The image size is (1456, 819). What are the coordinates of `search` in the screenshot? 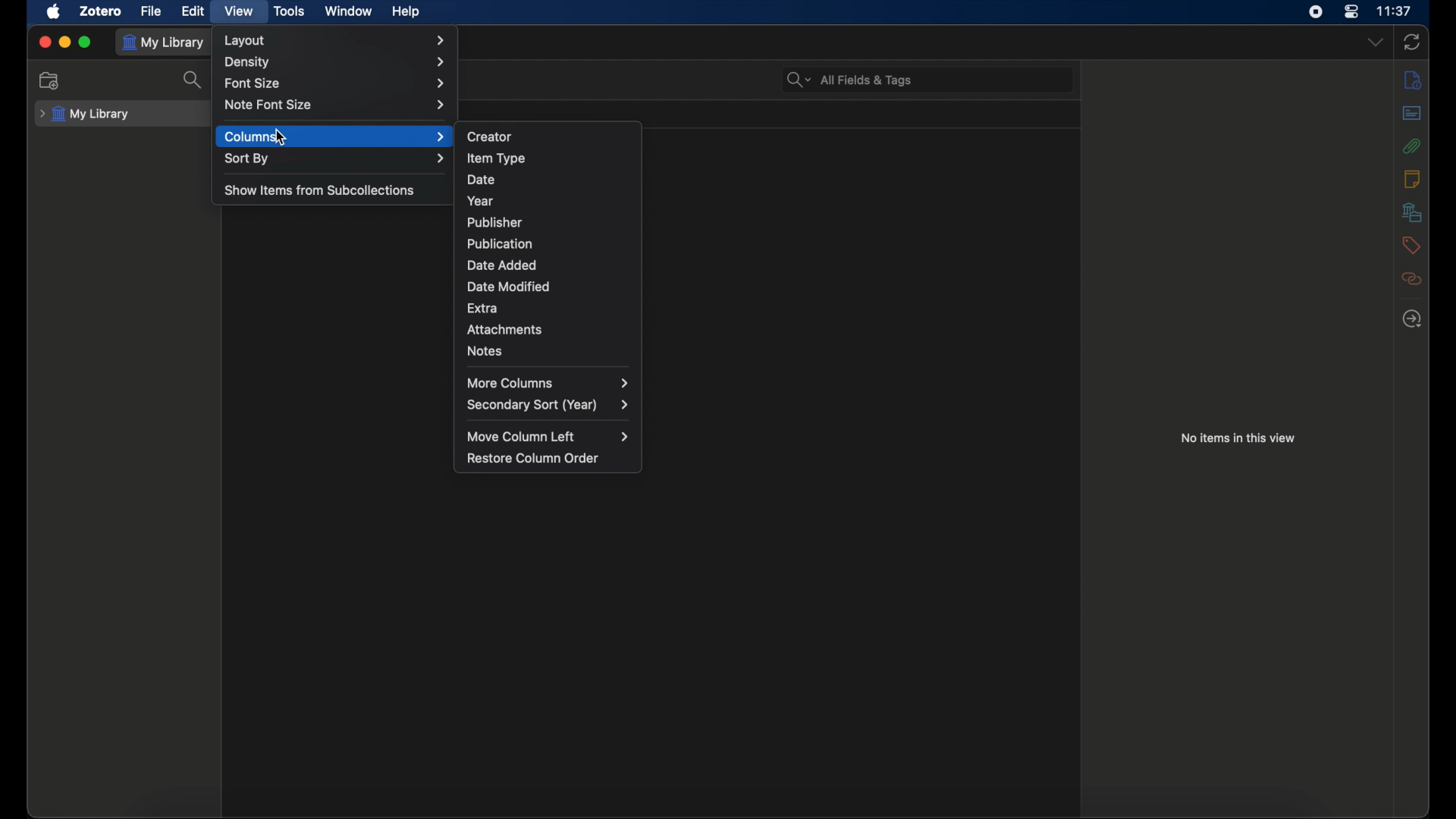 It's located at (196, 80).